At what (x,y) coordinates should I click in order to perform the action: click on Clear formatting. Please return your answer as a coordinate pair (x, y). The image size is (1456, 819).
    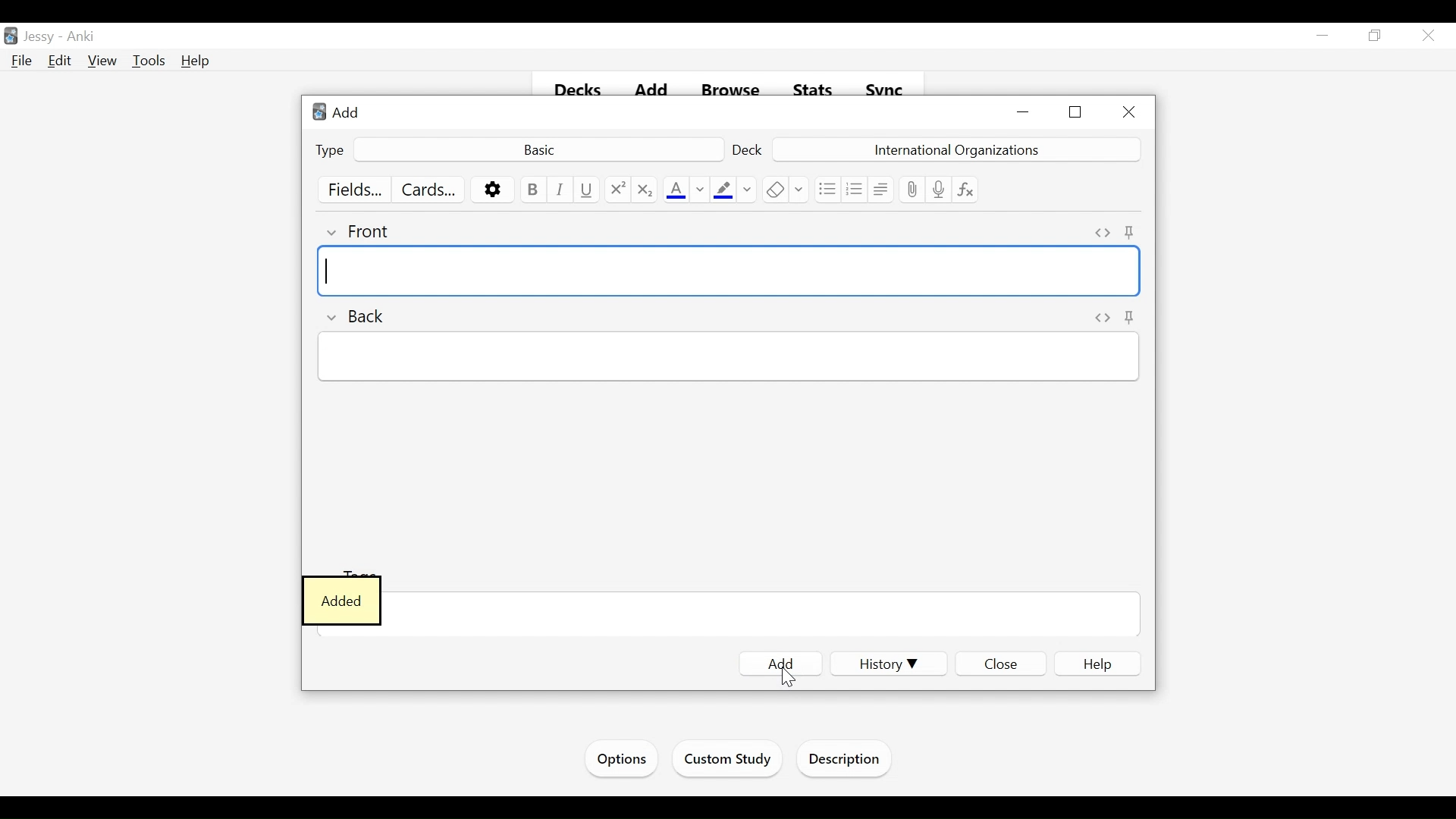
    Looking at the image, I should click on (773, 189).